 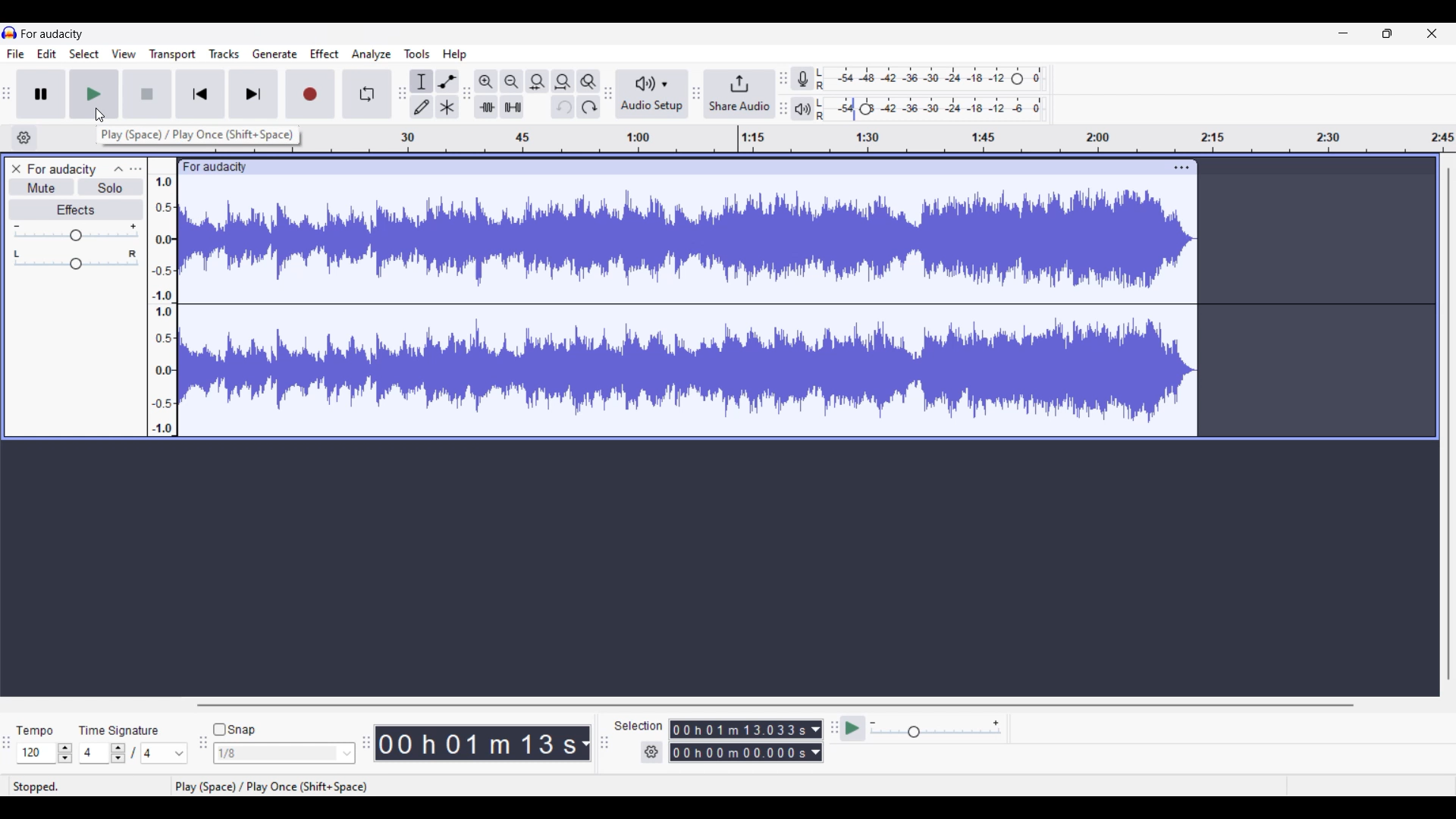 I want to click on Zoom out, so click(x=511, y=81).